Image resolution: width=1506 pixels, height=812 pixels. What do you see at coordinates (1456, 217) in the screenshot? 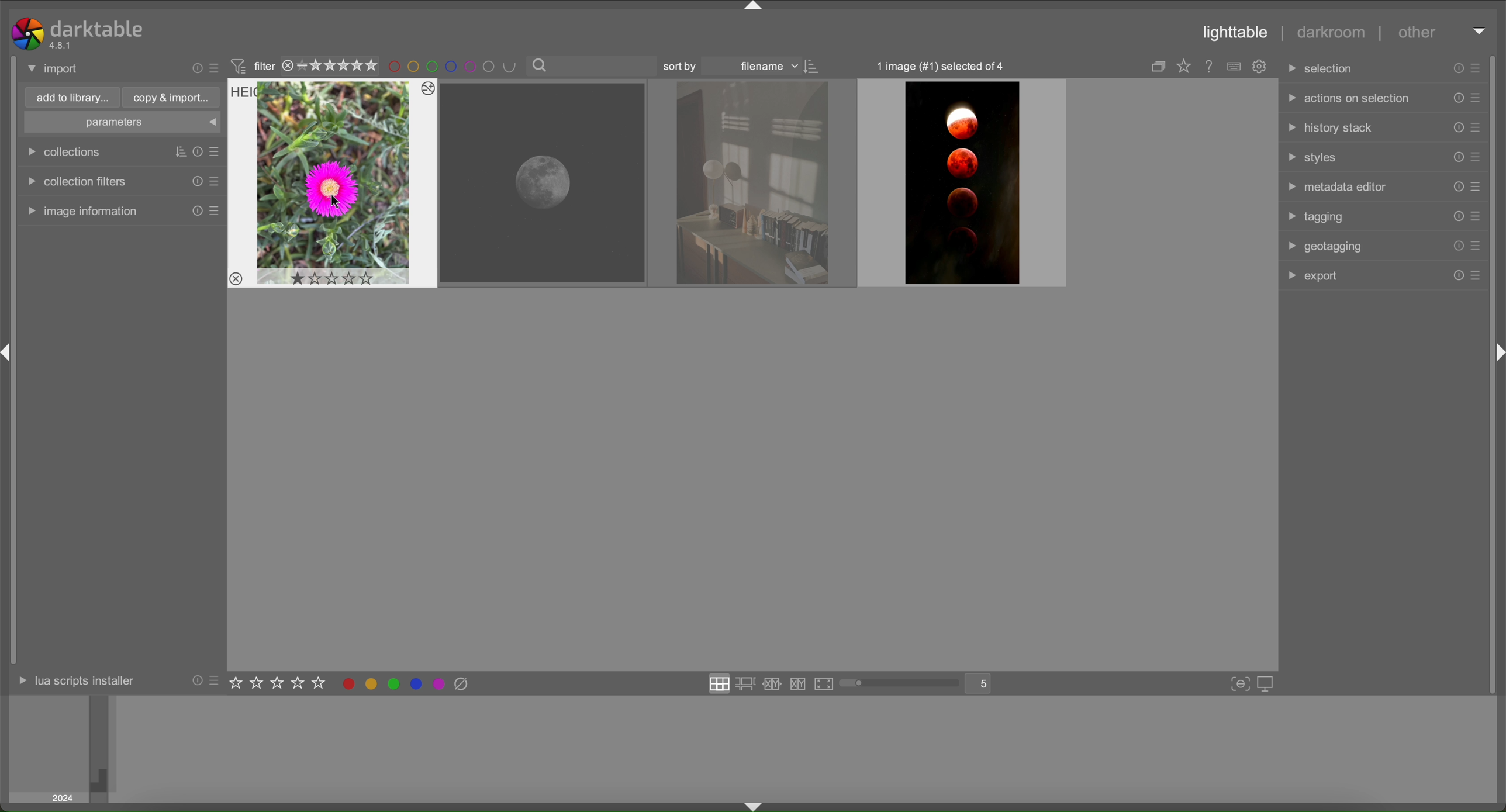
I see `reset presets` at bounding box center [1456, 217].